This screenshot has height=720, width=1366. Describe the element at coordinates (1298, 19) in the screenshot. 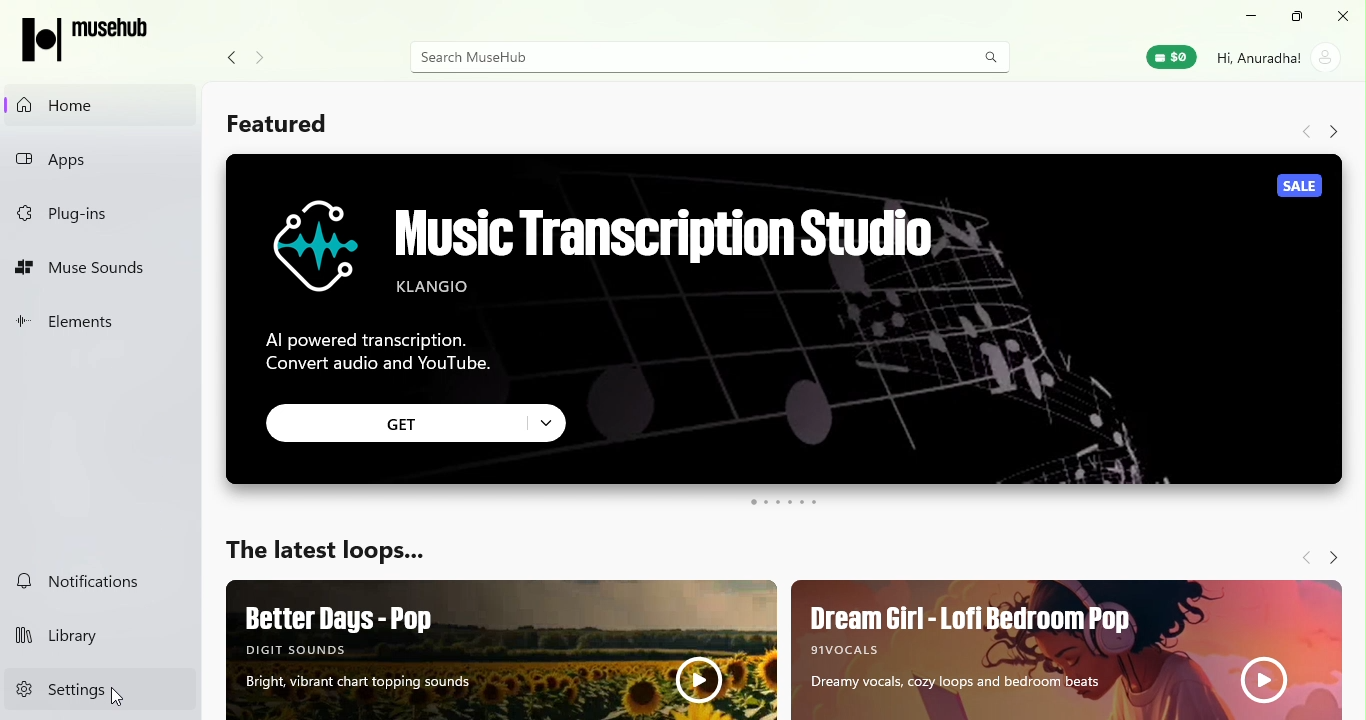

I see `Resize` at that location.